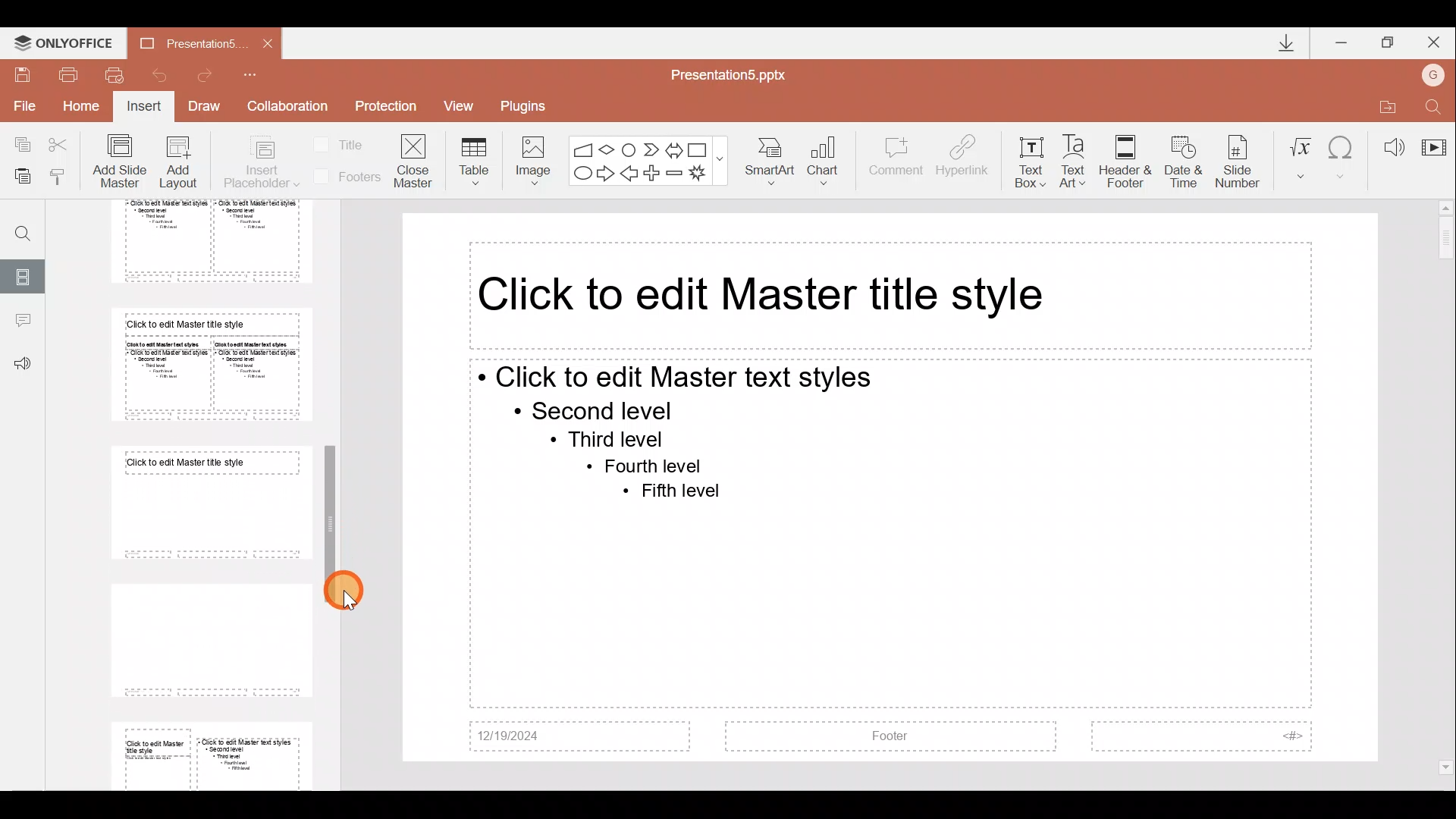  Describe the element at coordinates (22, 105) in the screenshot. I see `File` at that location.